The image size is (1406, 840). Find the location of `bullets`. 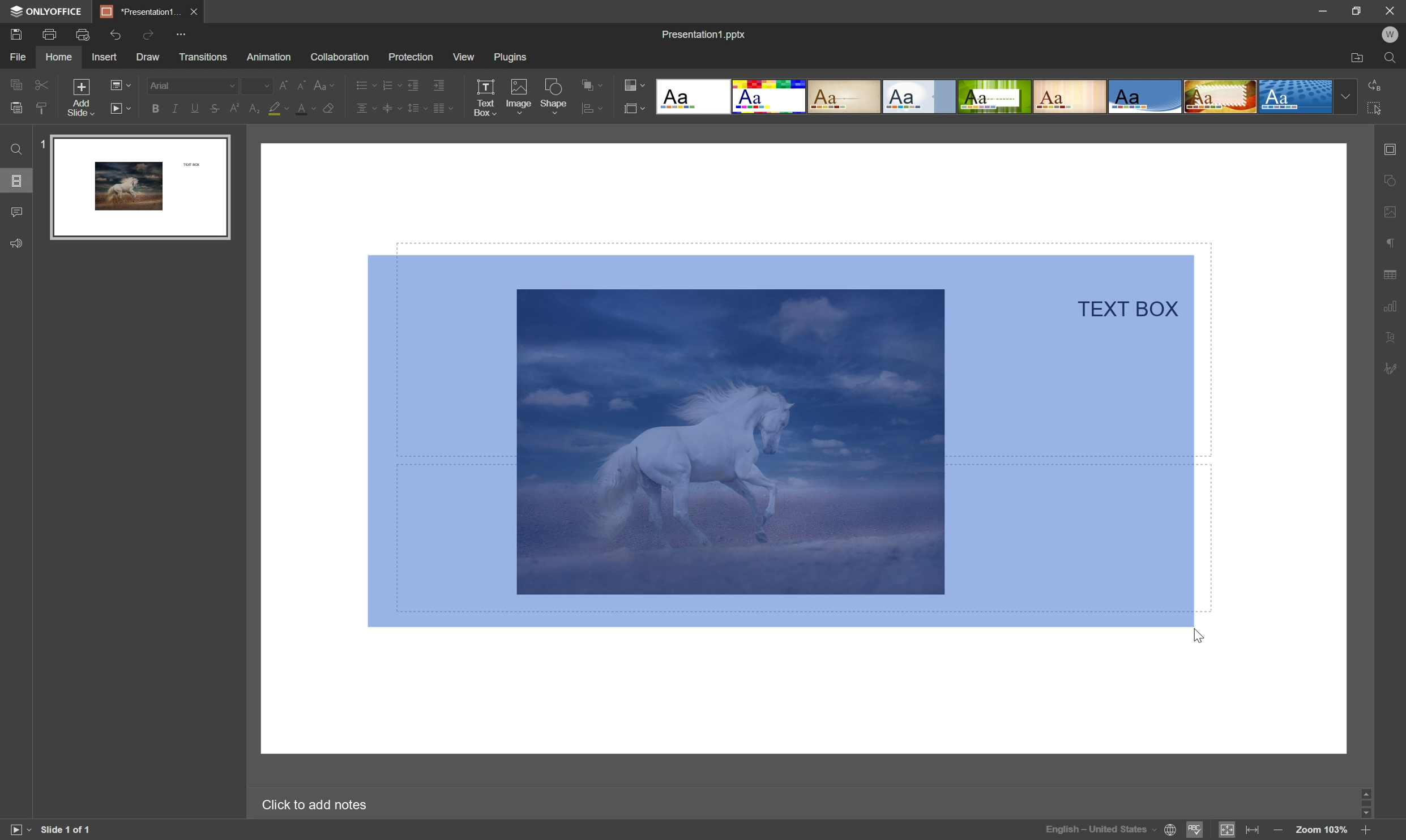

bullets is located at coordinates (364, 84).